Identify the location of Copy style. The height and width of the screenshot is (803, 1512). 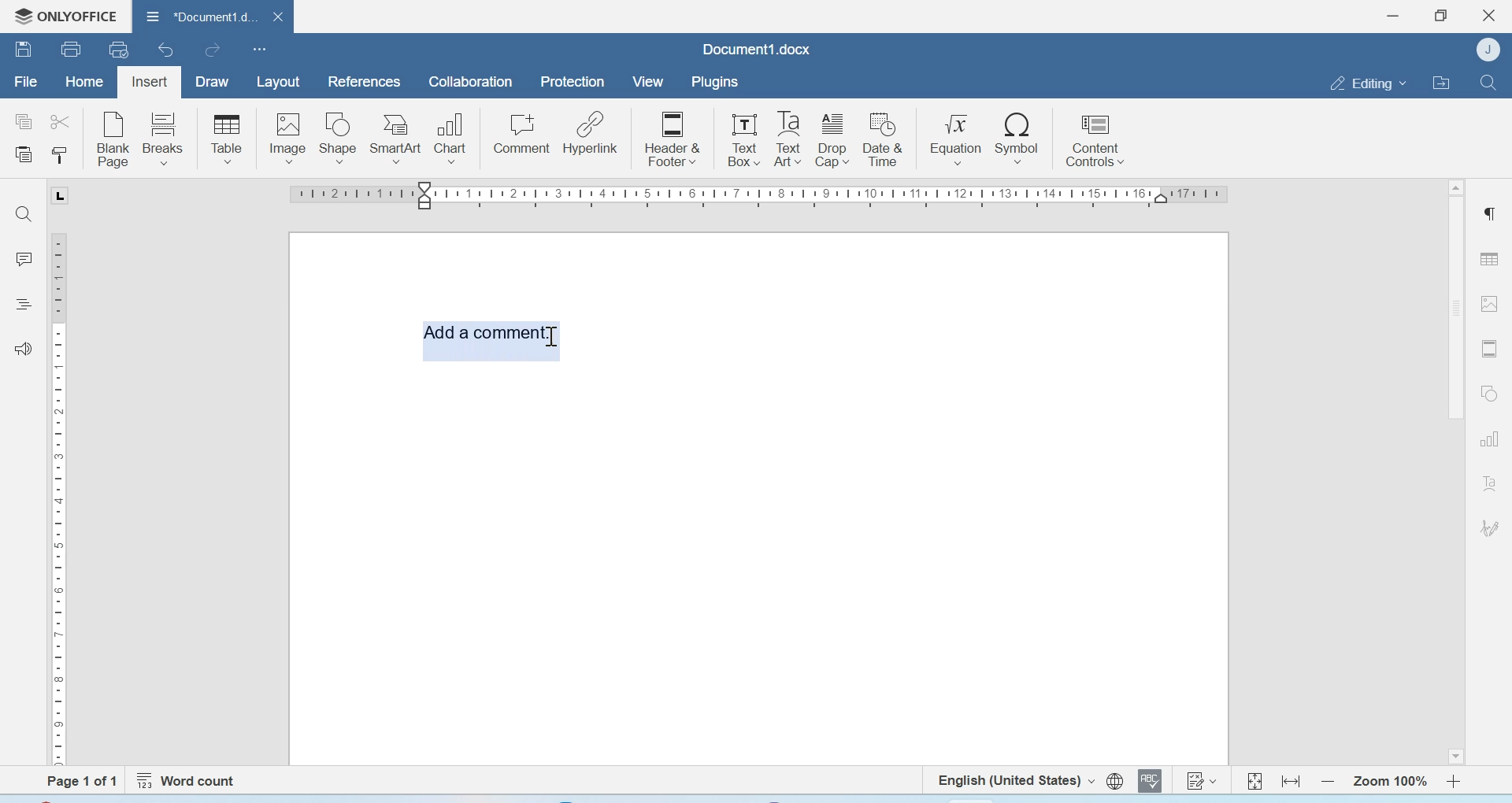
(59, 156).